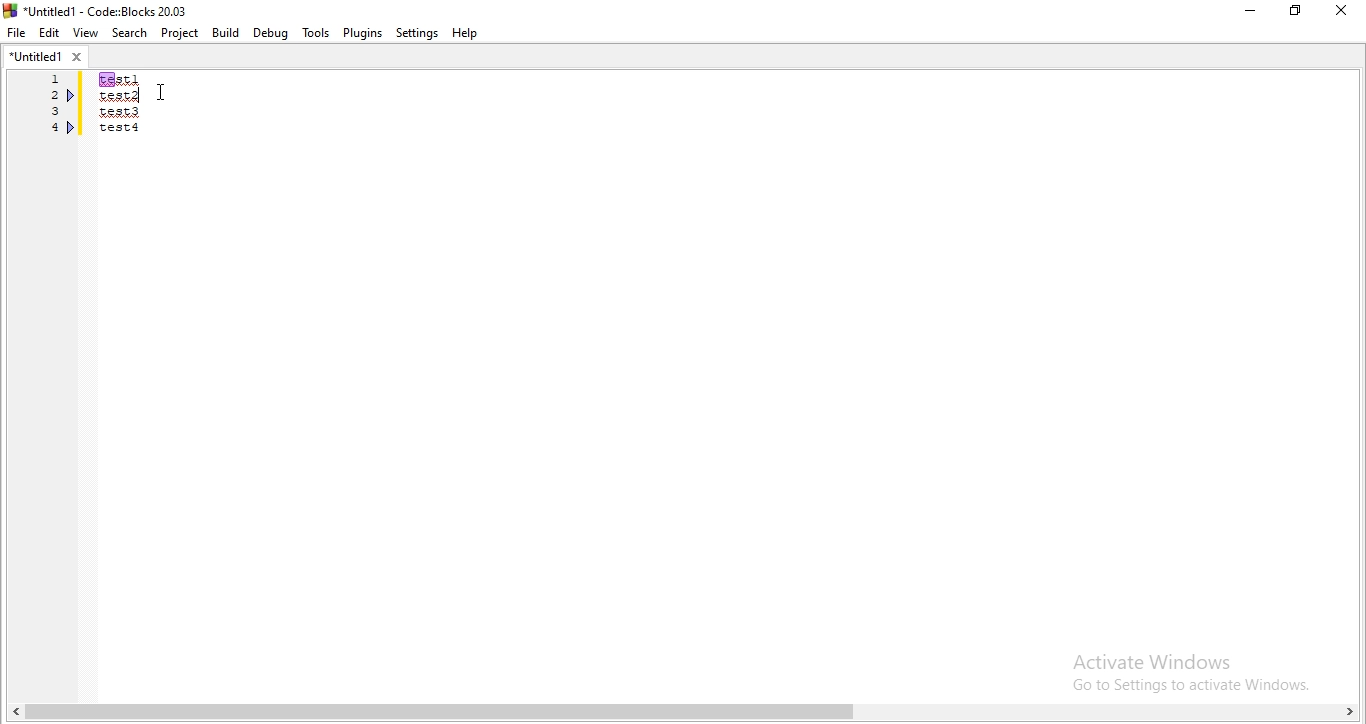 The height and width of the screenshot is (724, 1366). I want to click on Debugger Point, so click(72, 130).